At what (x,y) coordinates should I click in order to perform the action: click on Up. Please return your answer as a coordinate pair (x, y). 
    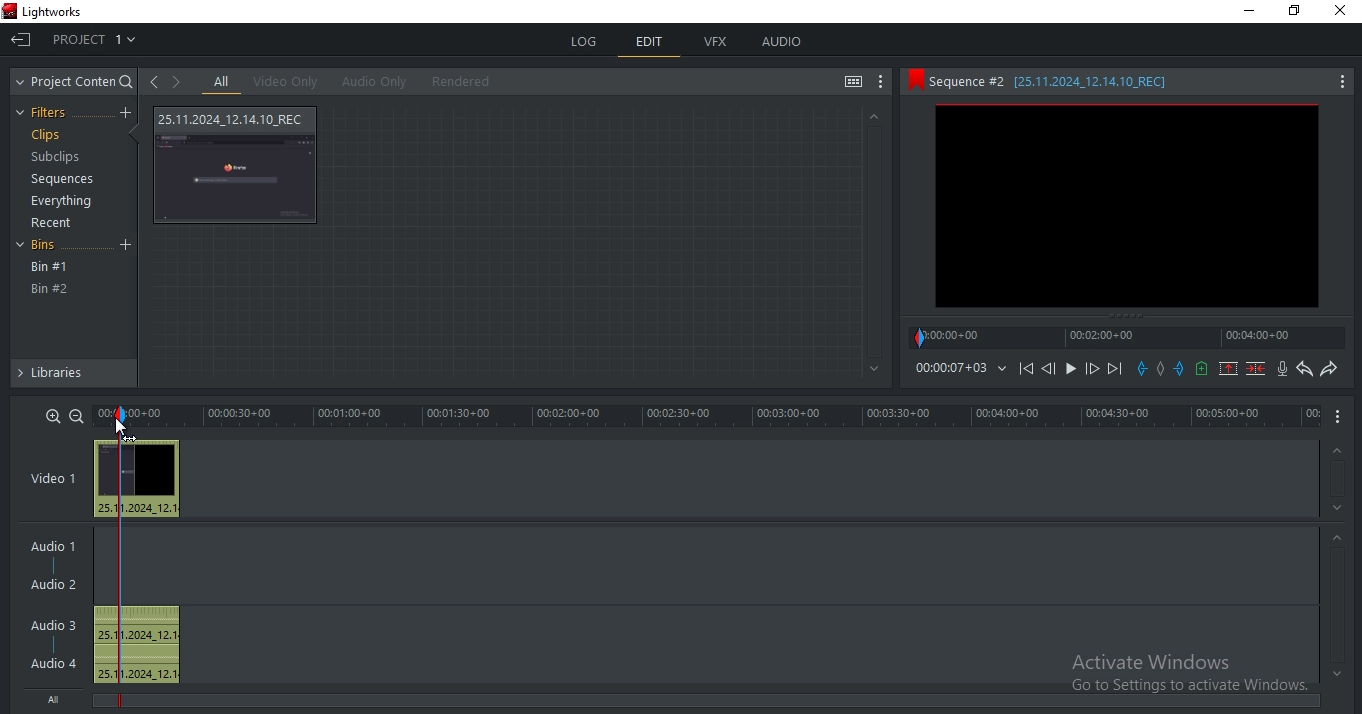
    Looking at the image, I should click on (1339, 448).